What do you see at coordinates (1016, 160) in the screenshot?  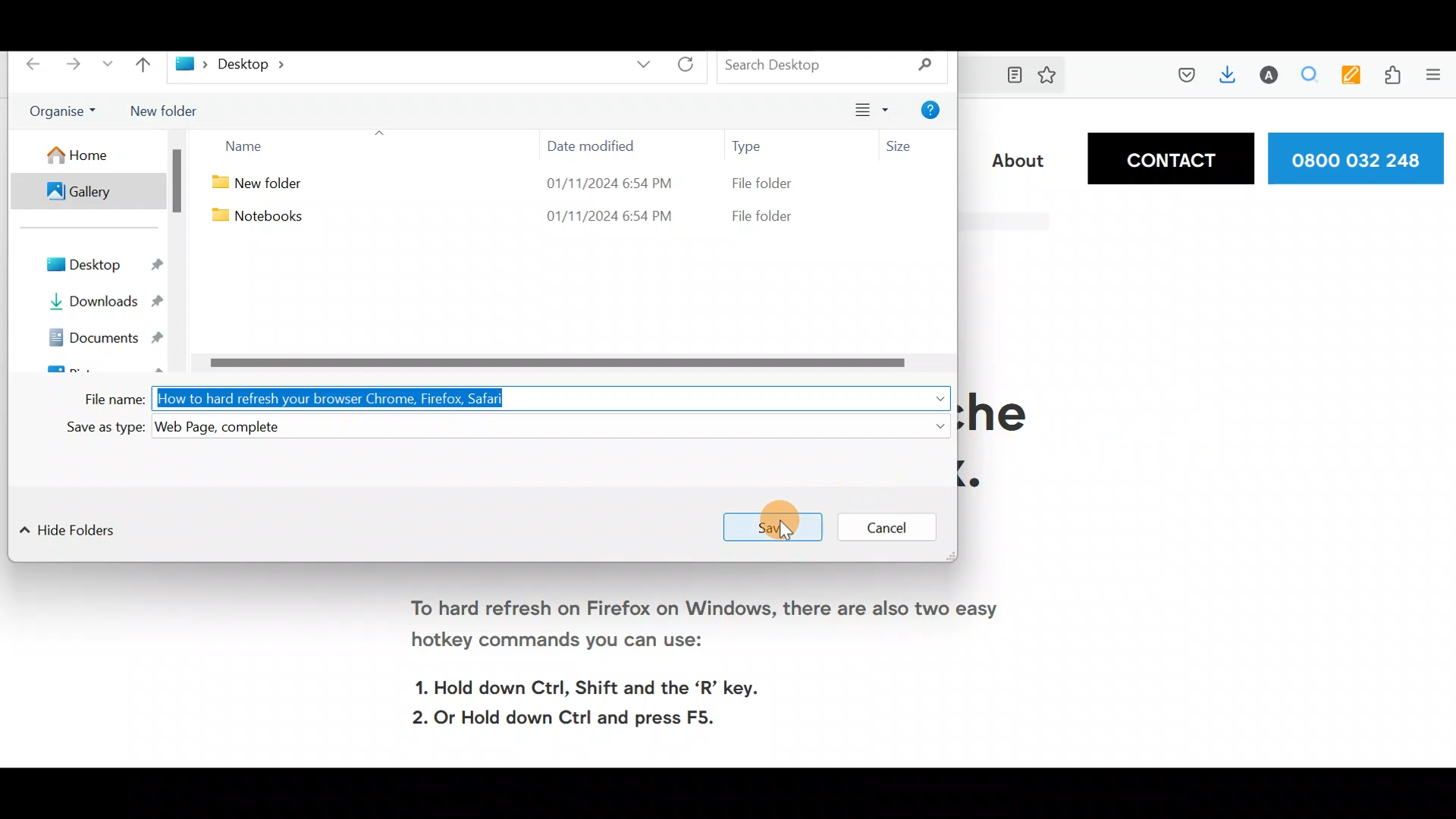 I see `About` at bounding box center [1016, 160].